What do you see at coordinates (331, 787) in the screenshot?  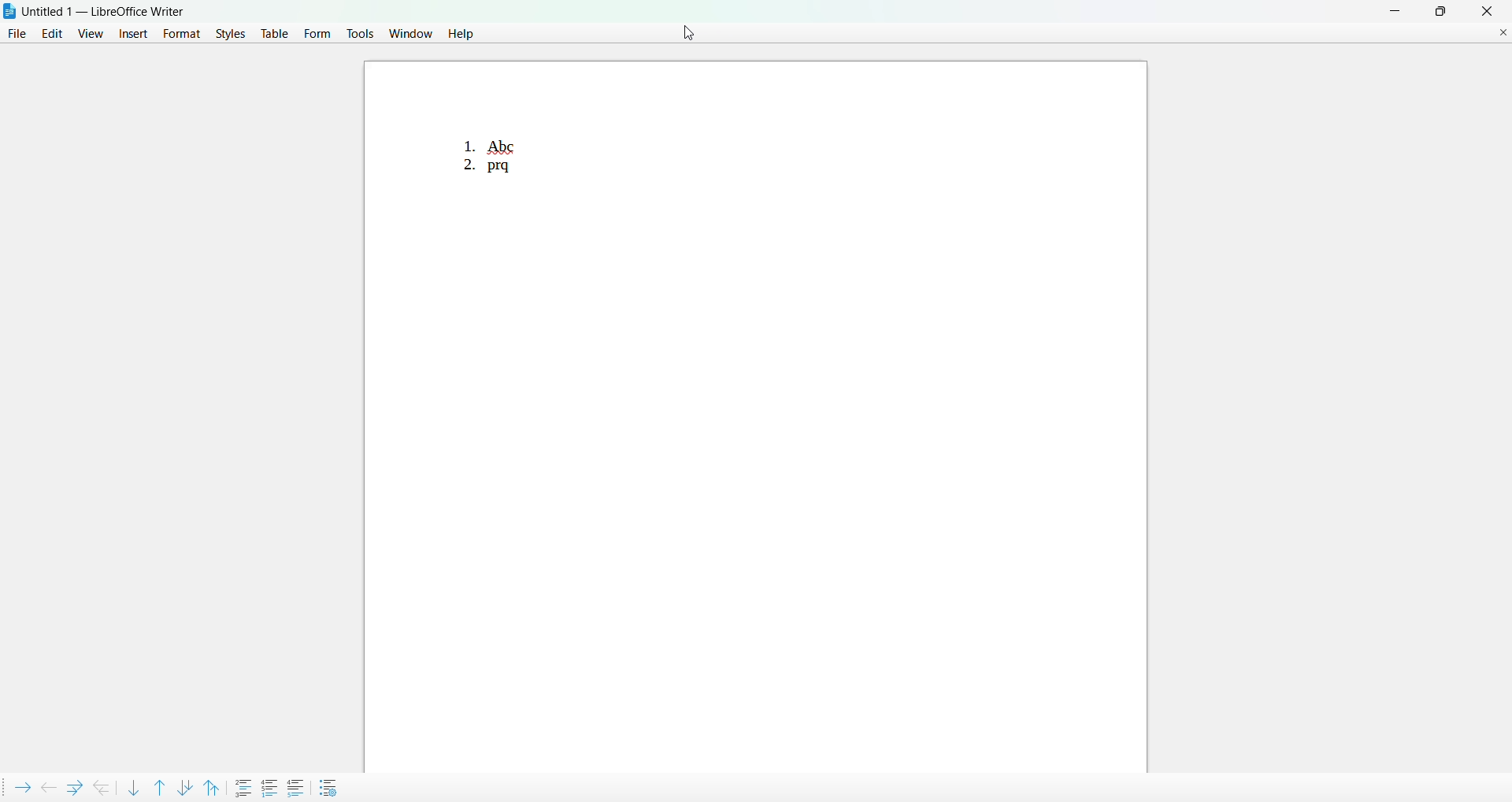 I see `bullets and numbering` at bounding box center [331, 787].